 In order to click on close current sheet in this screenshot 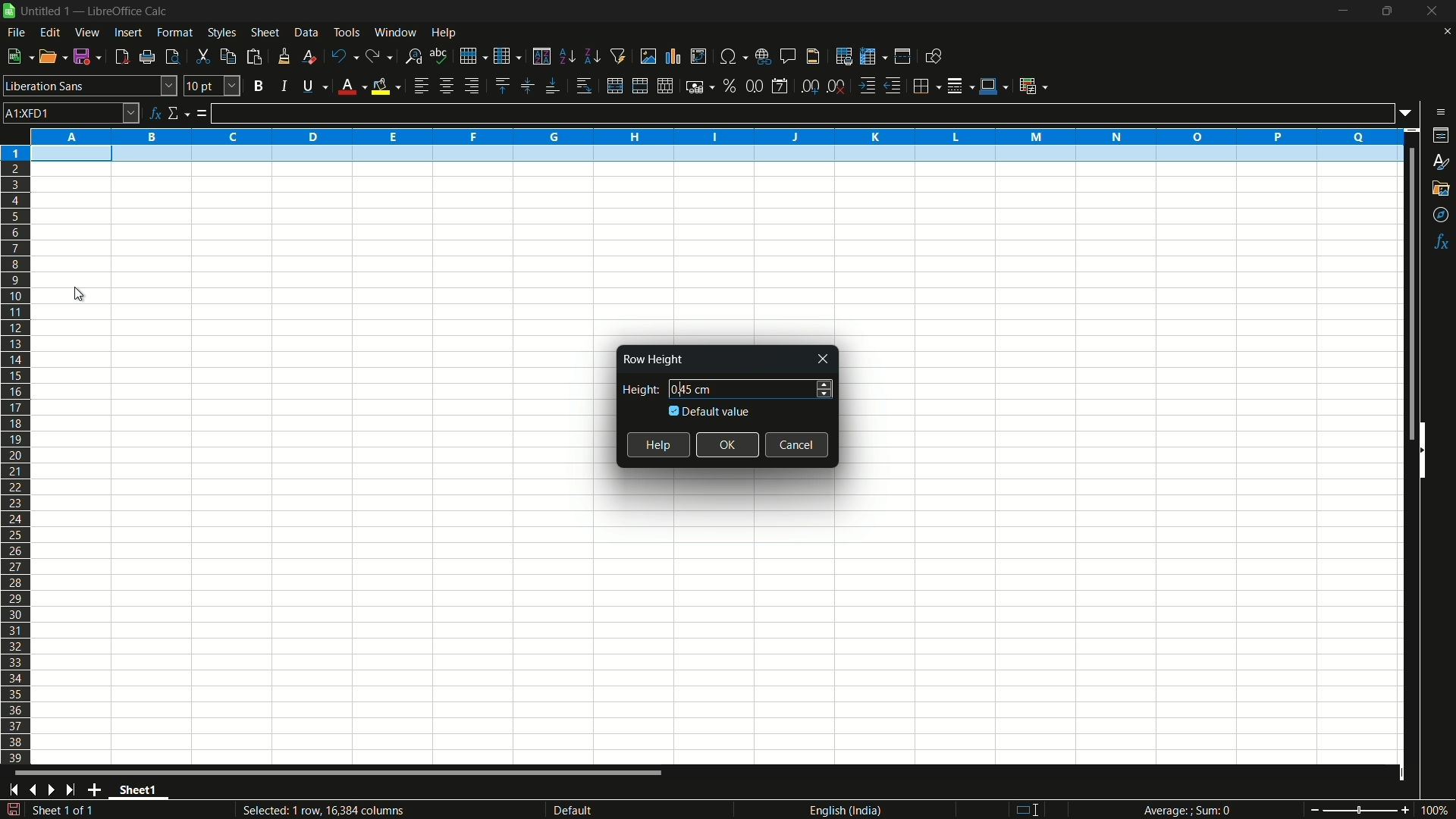, I will do `click(1445, 35)`.